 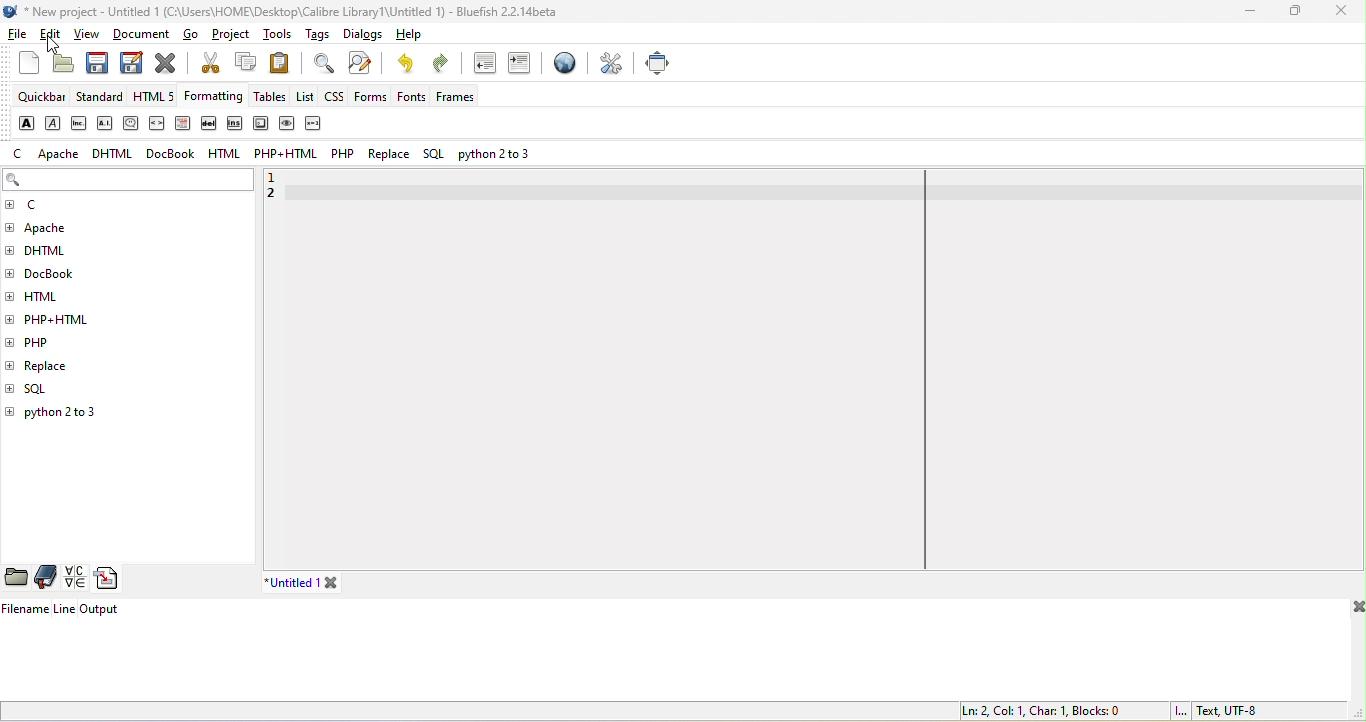 What do you see at coordinates (370, 96) in the screenshot?
I see `forms` at bounding box center [370, 96].